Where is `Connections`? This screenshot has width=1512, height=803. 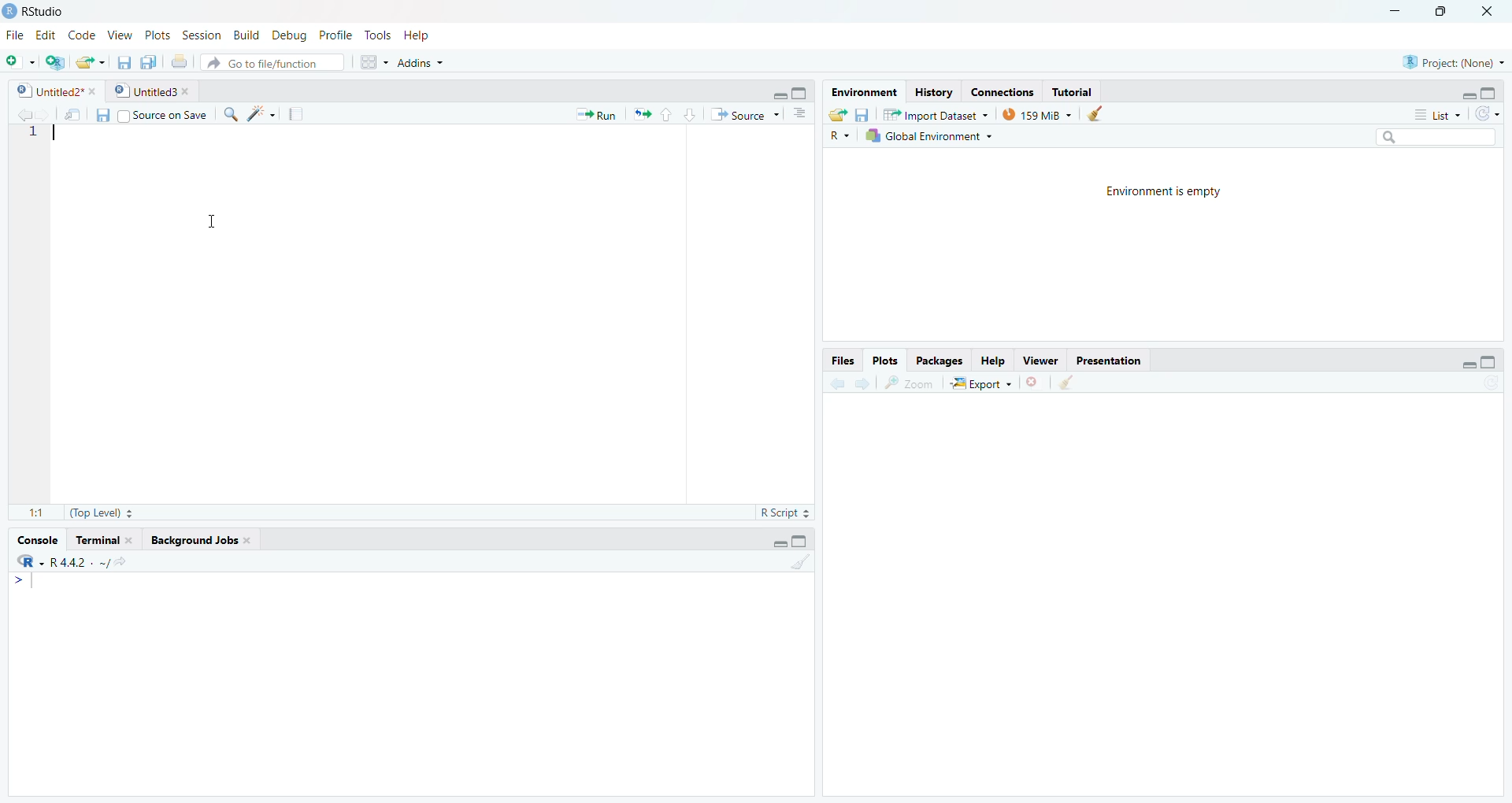
Connections is located at coordinates (1004, 92).